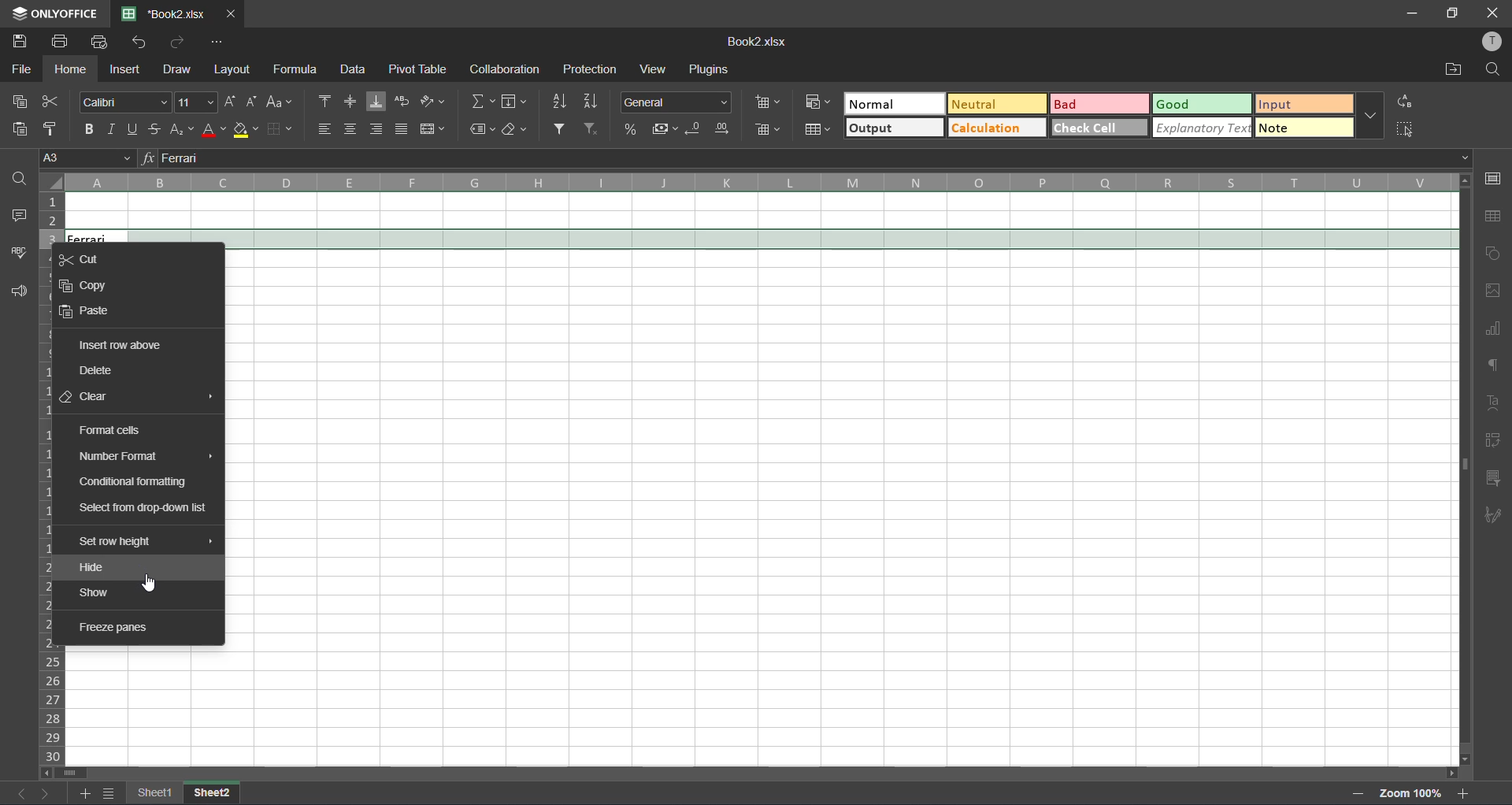 The image size is (1512, 805). What do you see at coordinates (124, 458) in the screenshot?
I see `number format` at bounding box center [124, 458].